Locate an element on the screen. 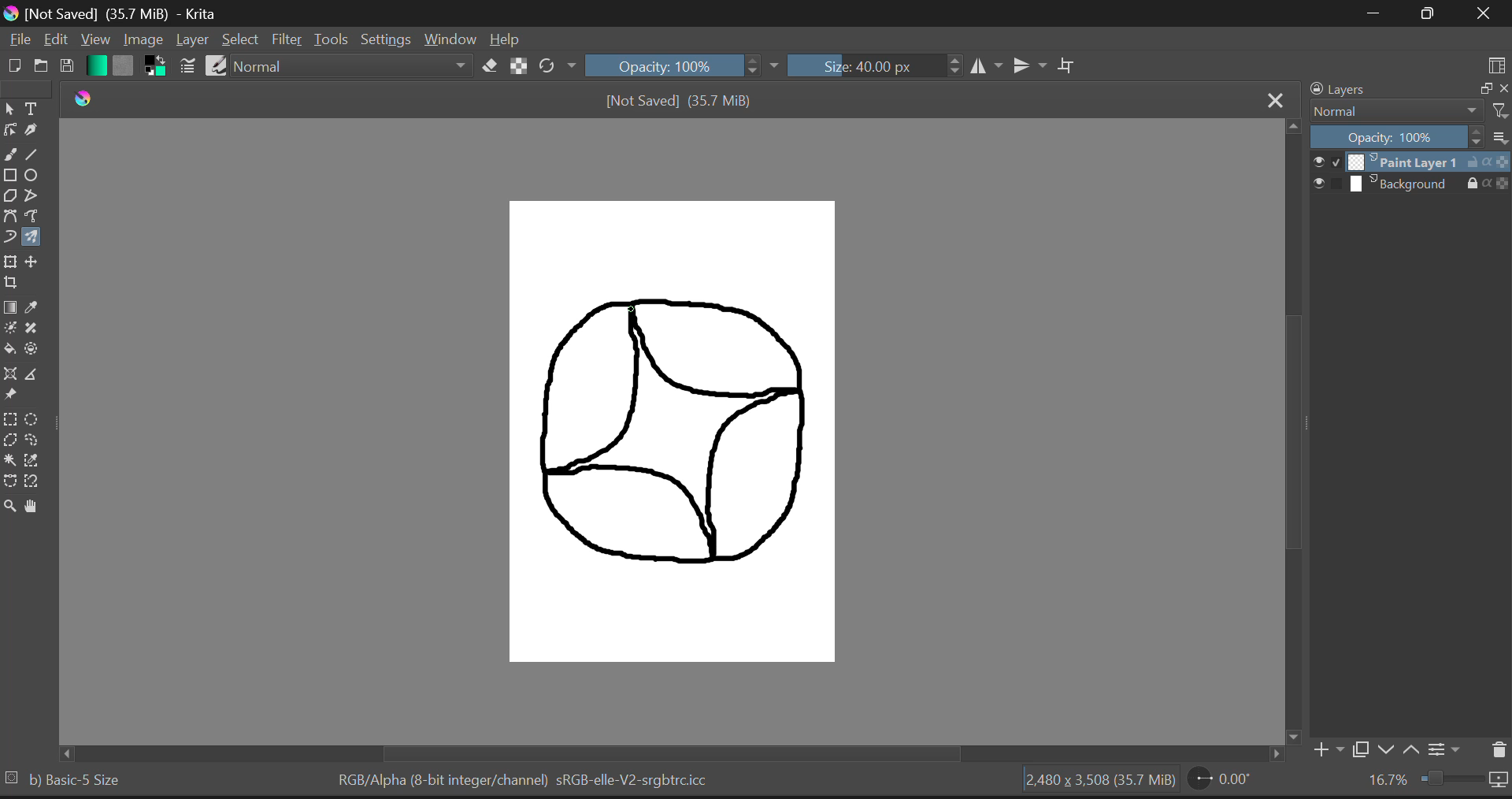 This screenshot has width=1512, height=799. Save is located at coordinates (66, 67).